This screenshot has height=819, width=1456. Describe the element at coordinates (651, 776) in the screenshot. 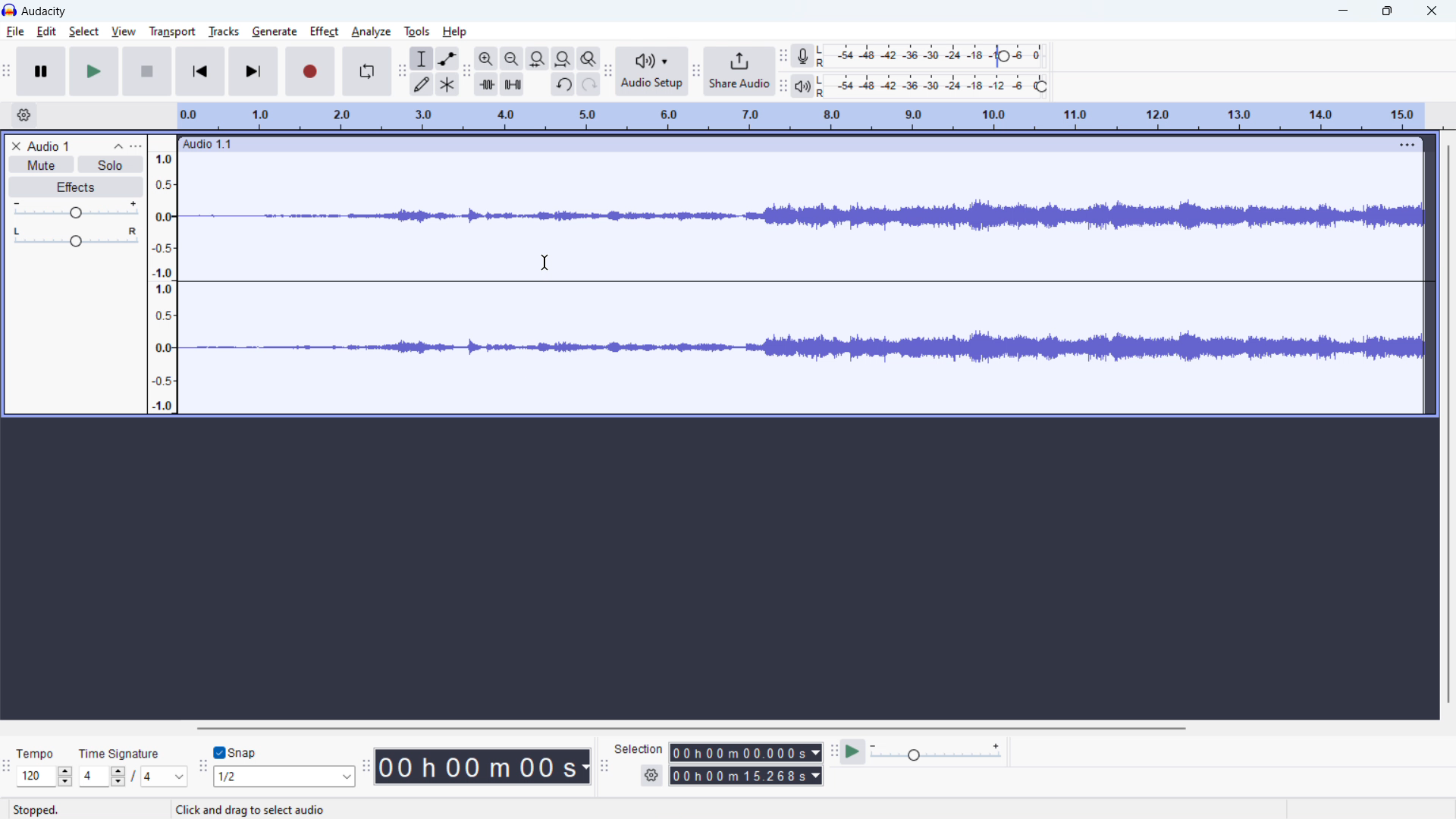

I see `settings` at that location.